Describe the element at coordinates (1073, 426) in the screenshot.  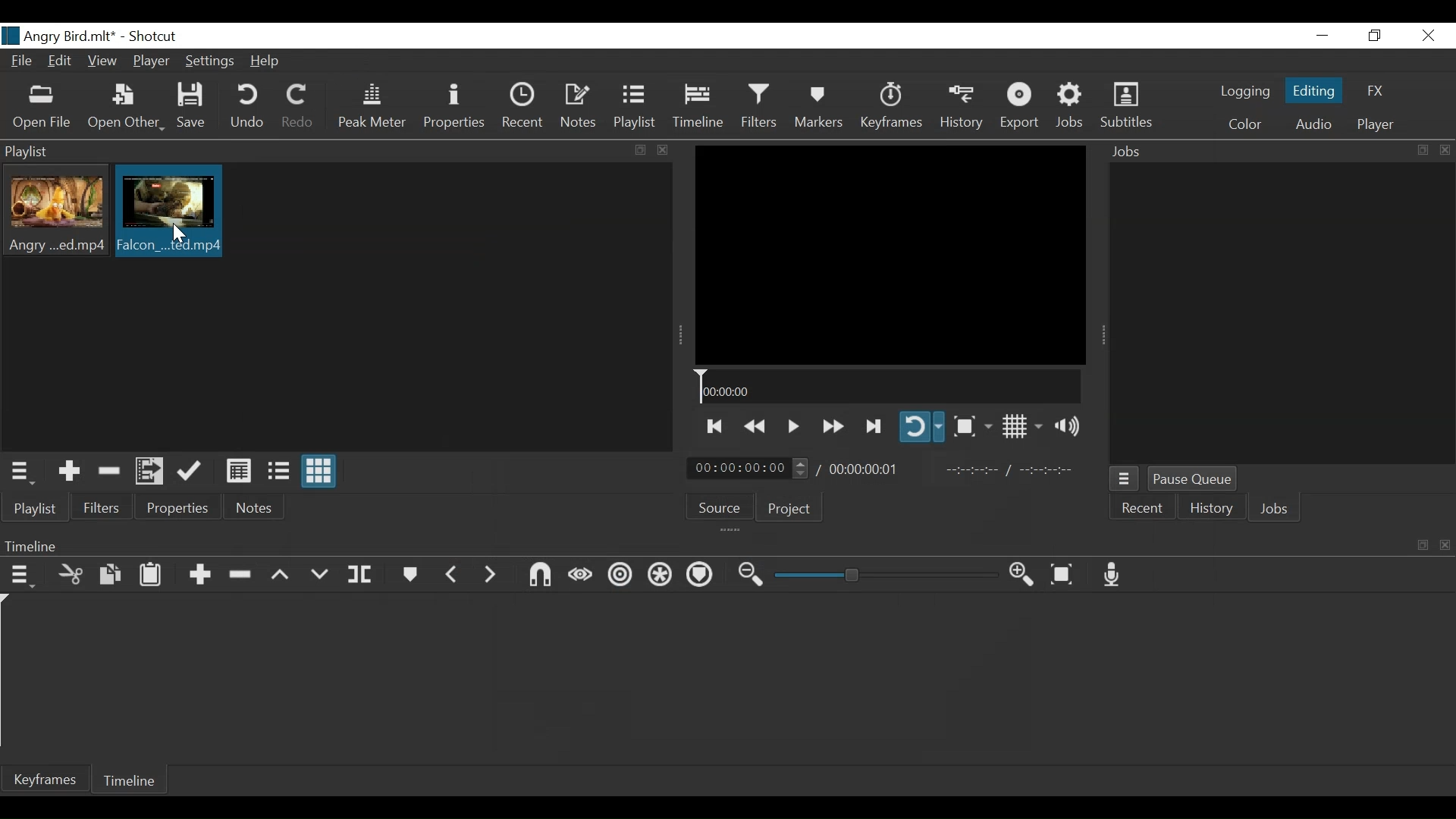
I see `Show volume control` at that location.